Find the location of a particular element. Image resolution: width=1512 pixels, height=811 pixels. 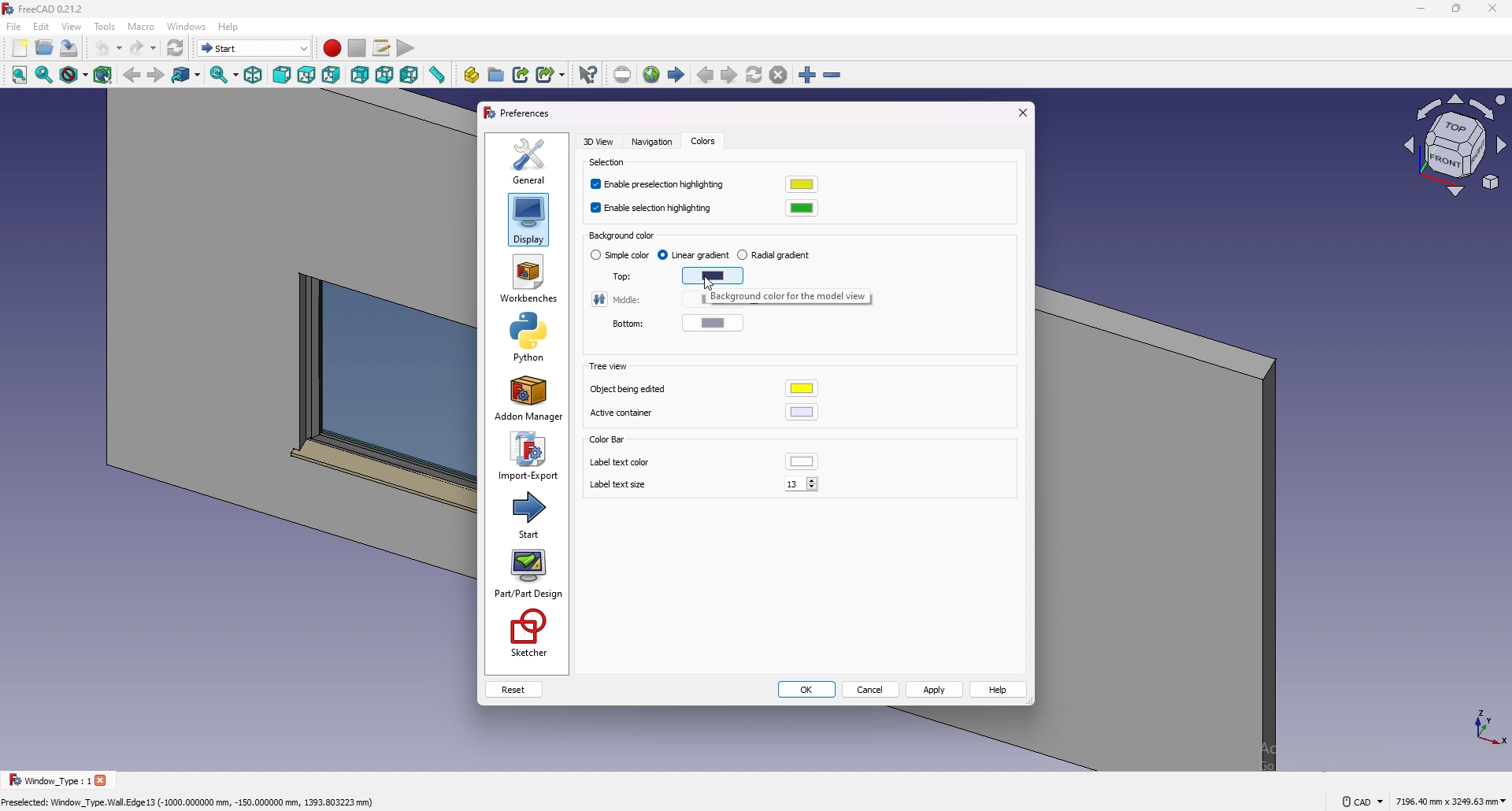

navigation is located at coordinates (650, 143).